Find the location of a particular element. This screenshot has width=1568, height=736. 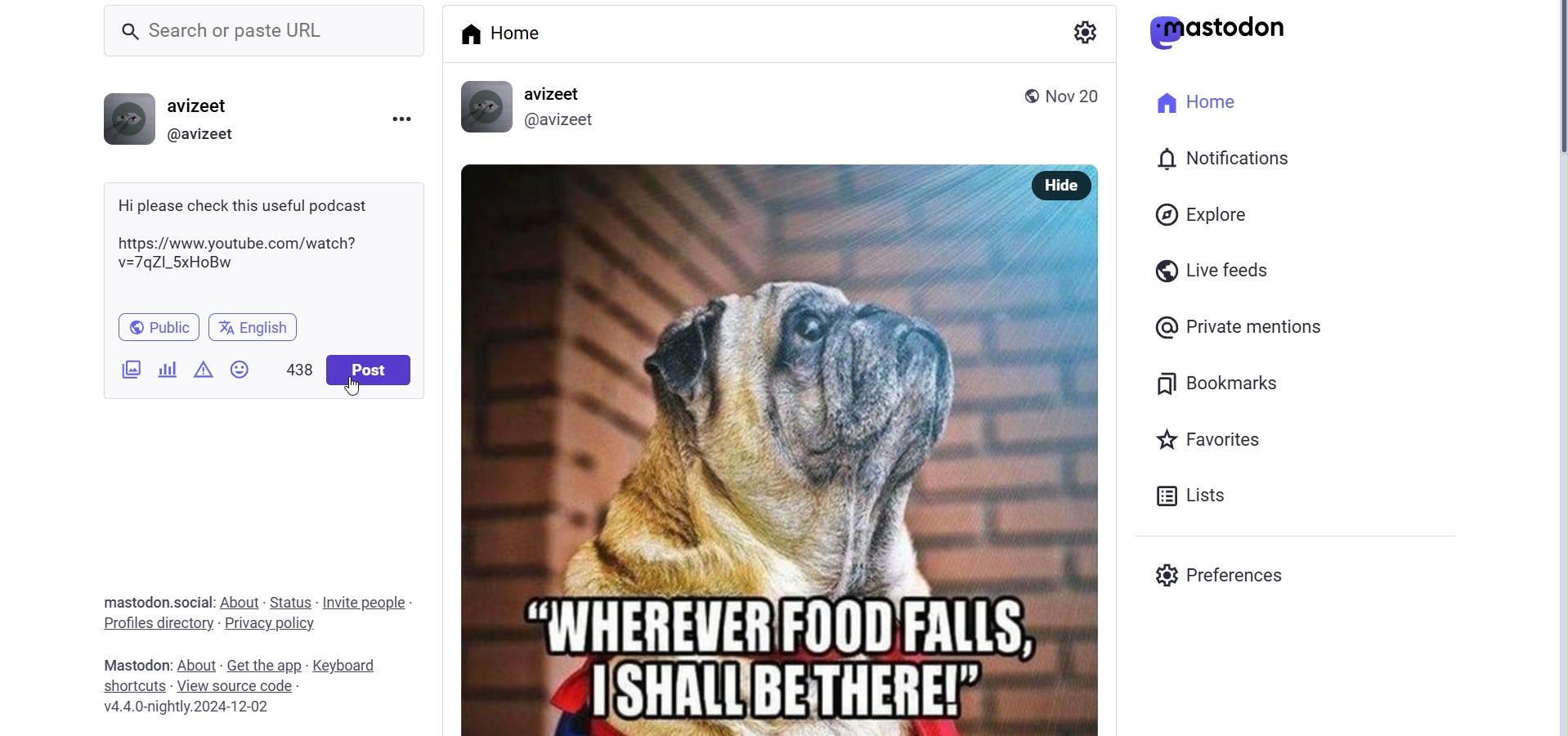

invite people is located at coordinates (365, 603).